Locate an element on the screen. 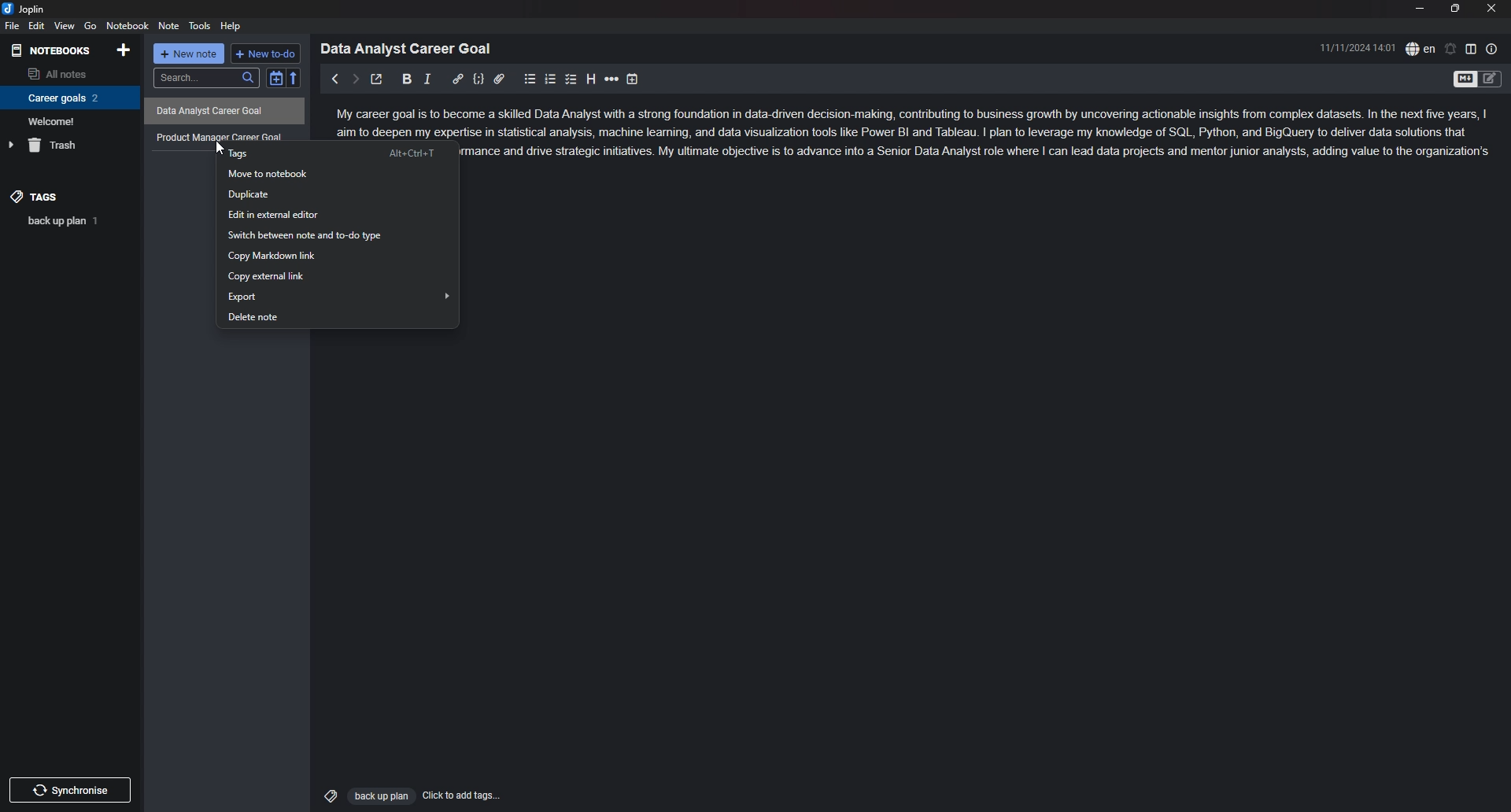 The height and width of the screenshot is (812, 1511). all notes is located at coordinates (67, 72).